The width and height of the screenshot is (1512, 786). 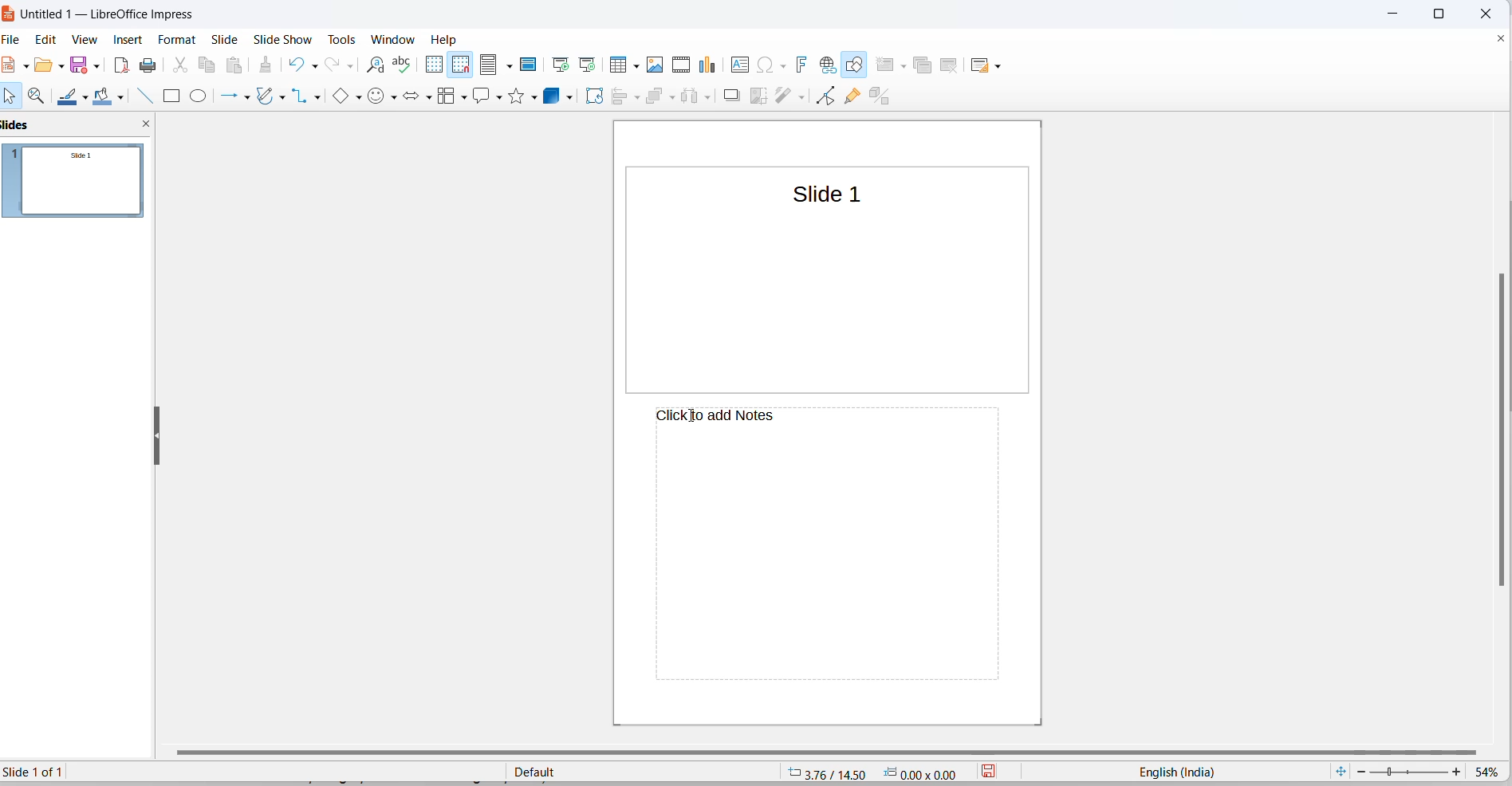 What do you see at coordinates (830, 299) in the screenshot?
I see `slide canvas` at bounding box center [830, 299].